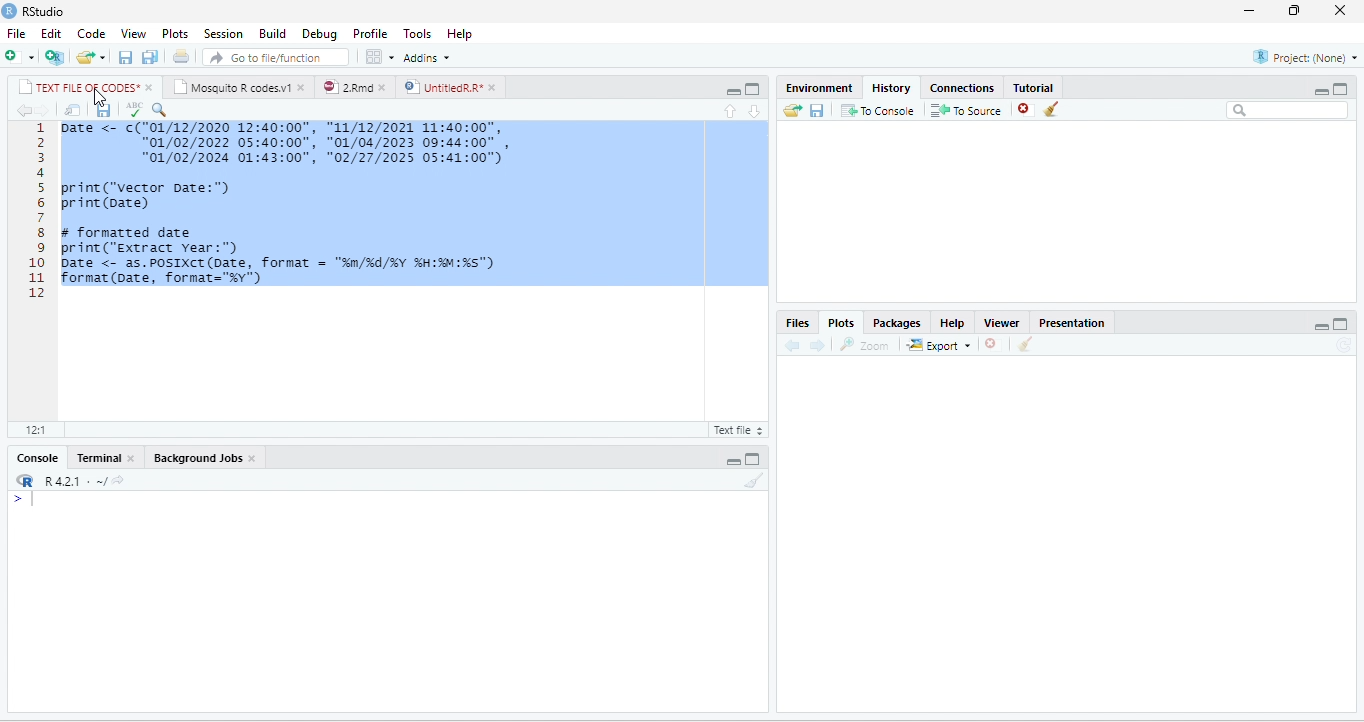 The height and width of the screenshot is (722, 1364). What do you see at coordinates (224, 33) in the screenshot?
I see `Session` at bounding box center [224, 33].